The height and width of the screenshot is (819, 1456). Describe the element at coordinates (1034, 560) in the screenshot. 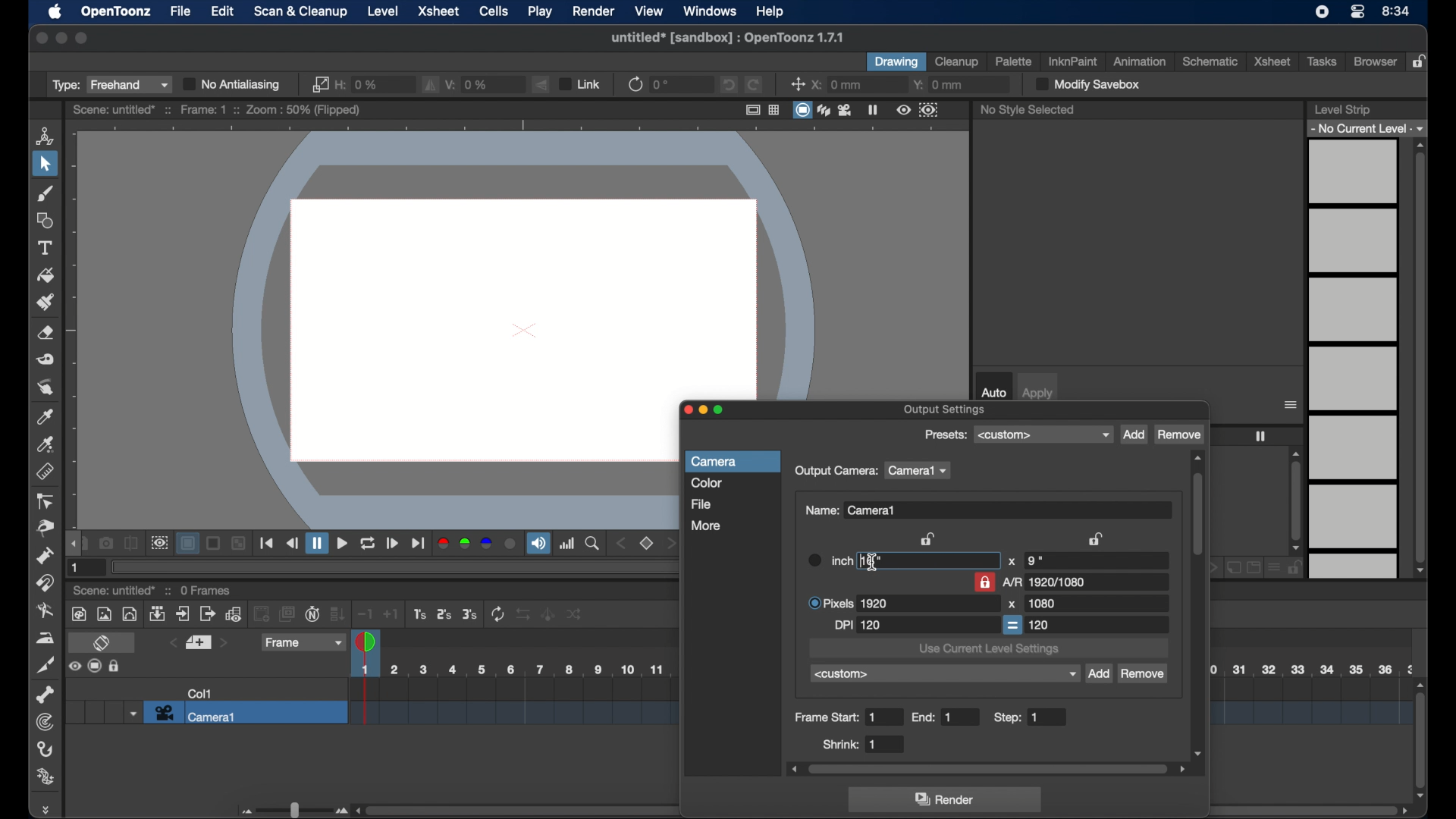

I see `9` at that location.